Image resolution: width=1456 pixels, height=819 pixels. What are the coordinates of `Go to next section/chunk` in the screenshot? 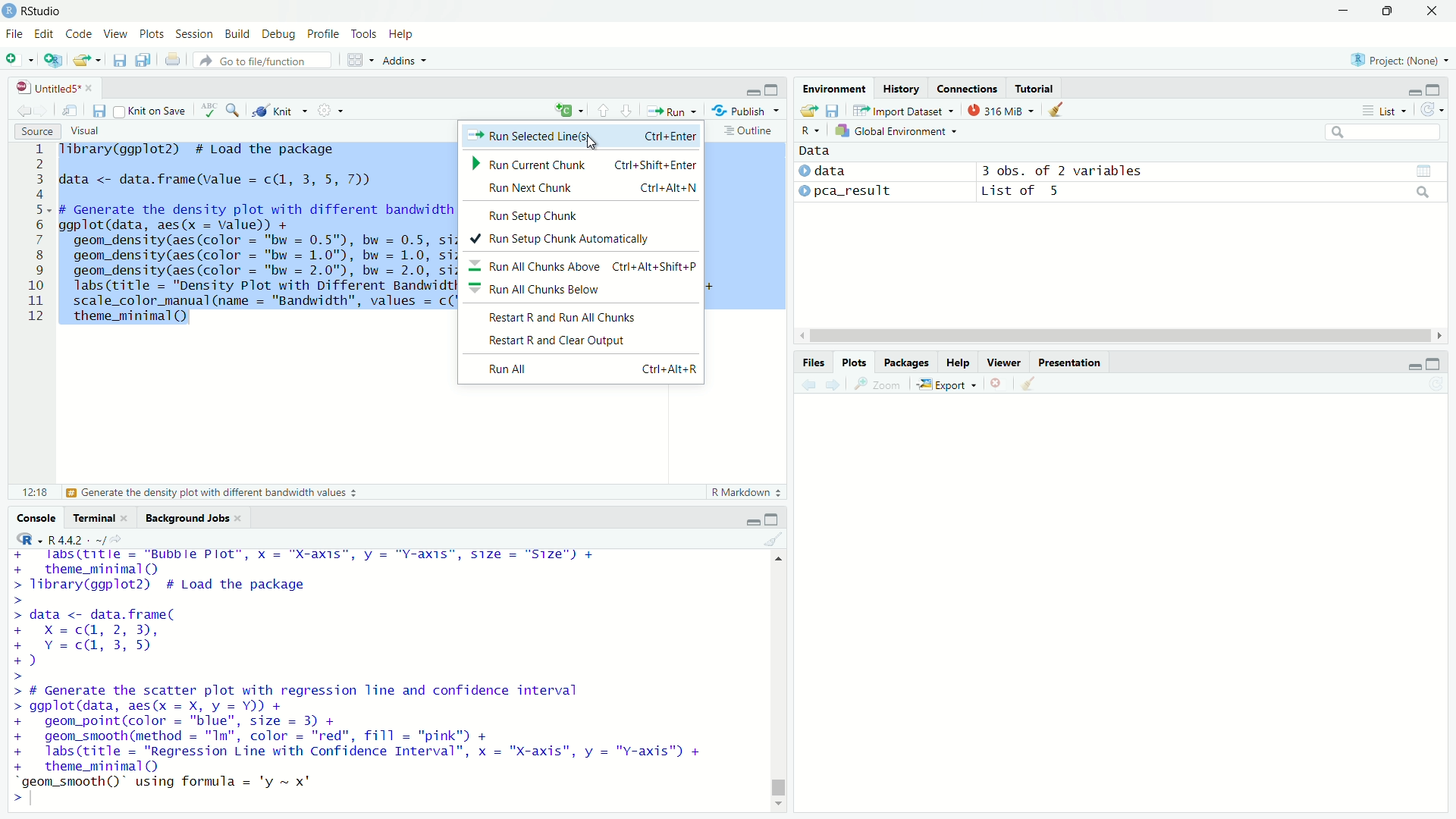 It's located at (626, 109).